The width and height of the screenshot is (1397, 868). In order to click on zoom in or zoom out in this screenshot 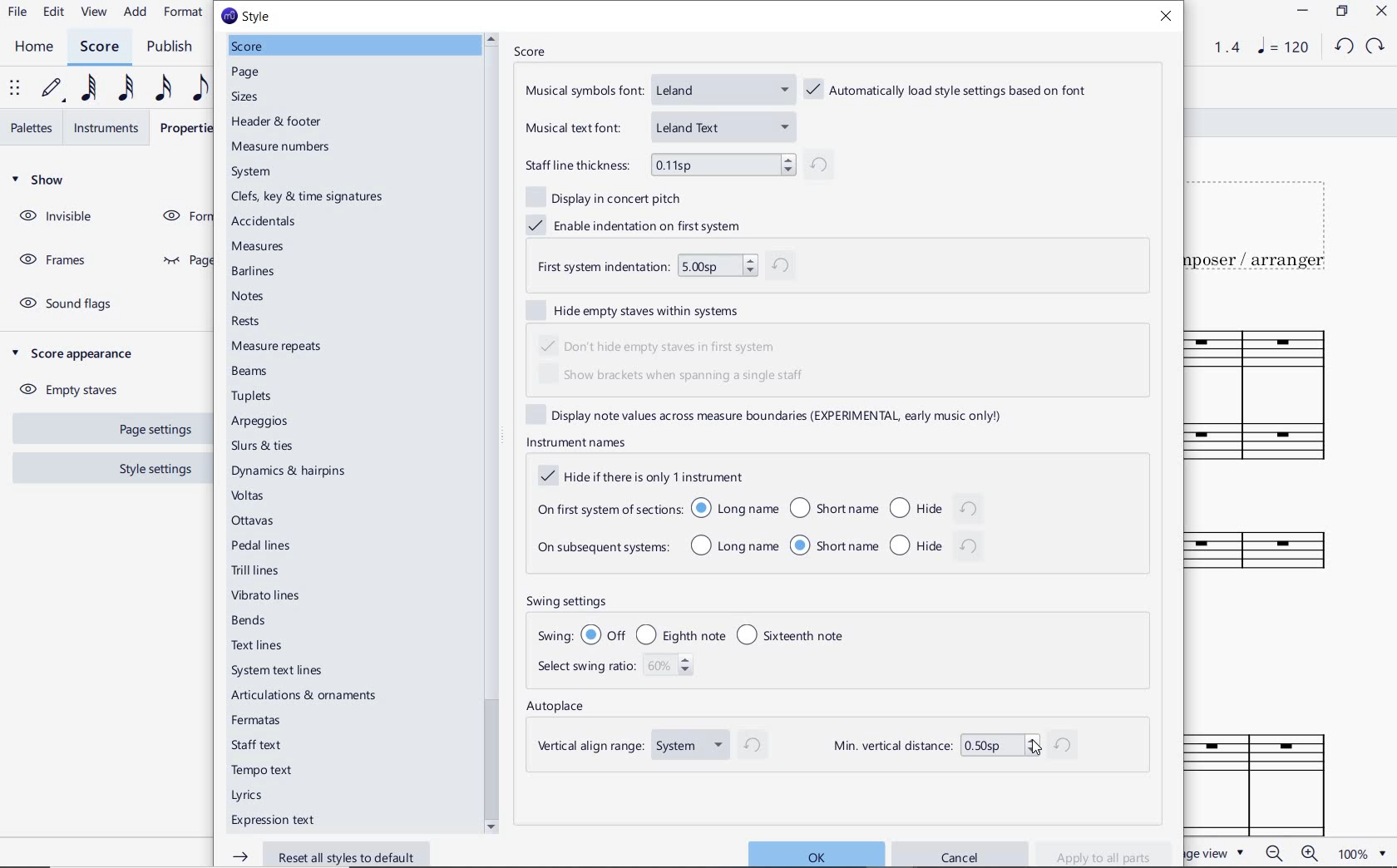, I will do `click(1291, 853)`.